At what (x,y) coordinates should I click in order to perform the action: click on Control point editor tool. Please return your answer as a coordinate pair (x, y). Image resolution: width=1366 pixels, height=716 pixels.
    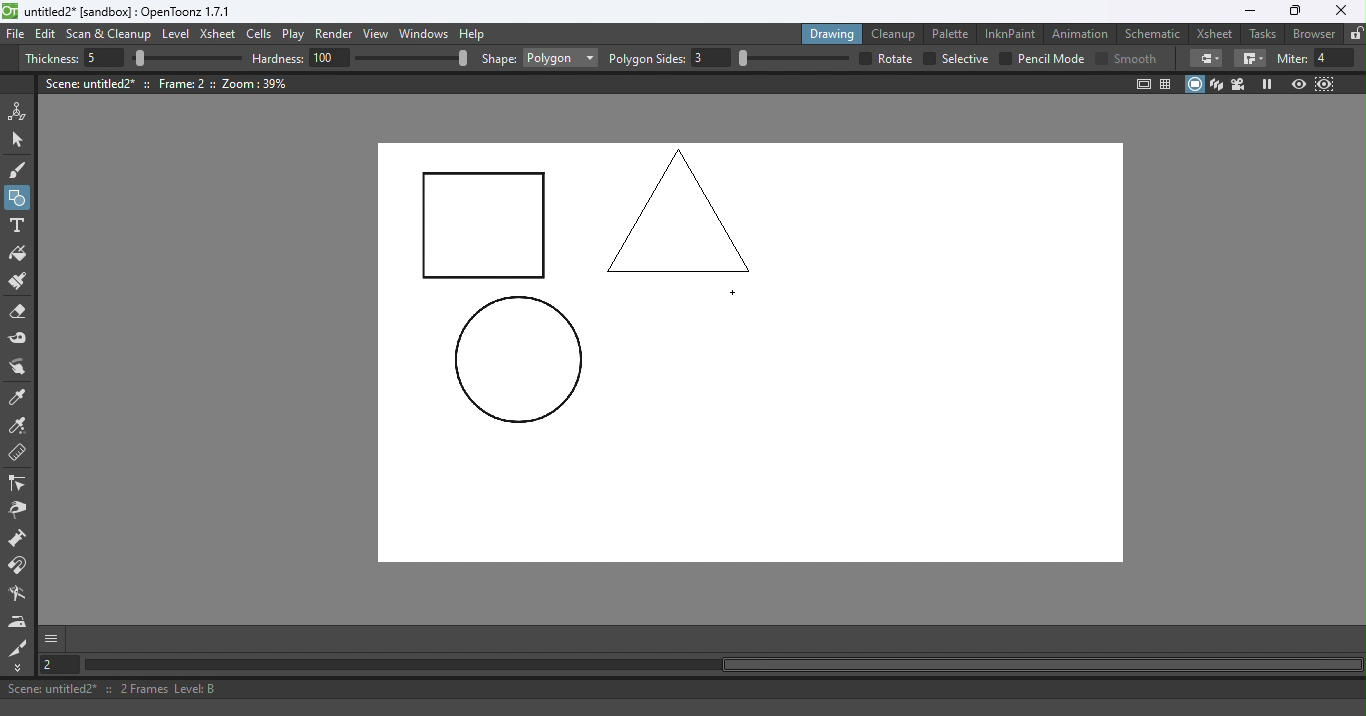
    Looking at the image, I should click on (18, 485).